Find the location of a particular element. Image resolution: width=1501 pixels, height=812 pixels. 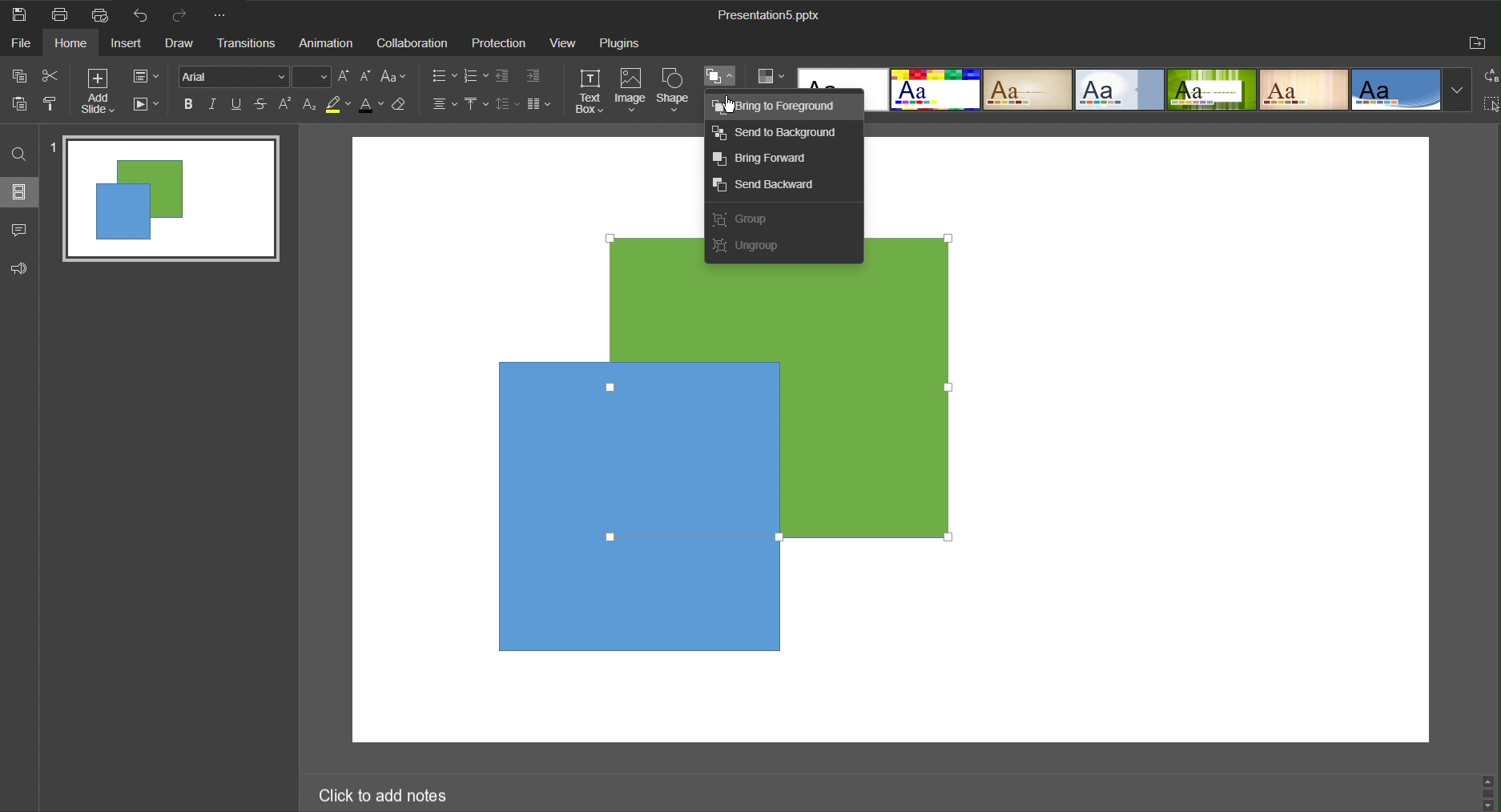

Open File Location is located at coordinates (1478, 45).